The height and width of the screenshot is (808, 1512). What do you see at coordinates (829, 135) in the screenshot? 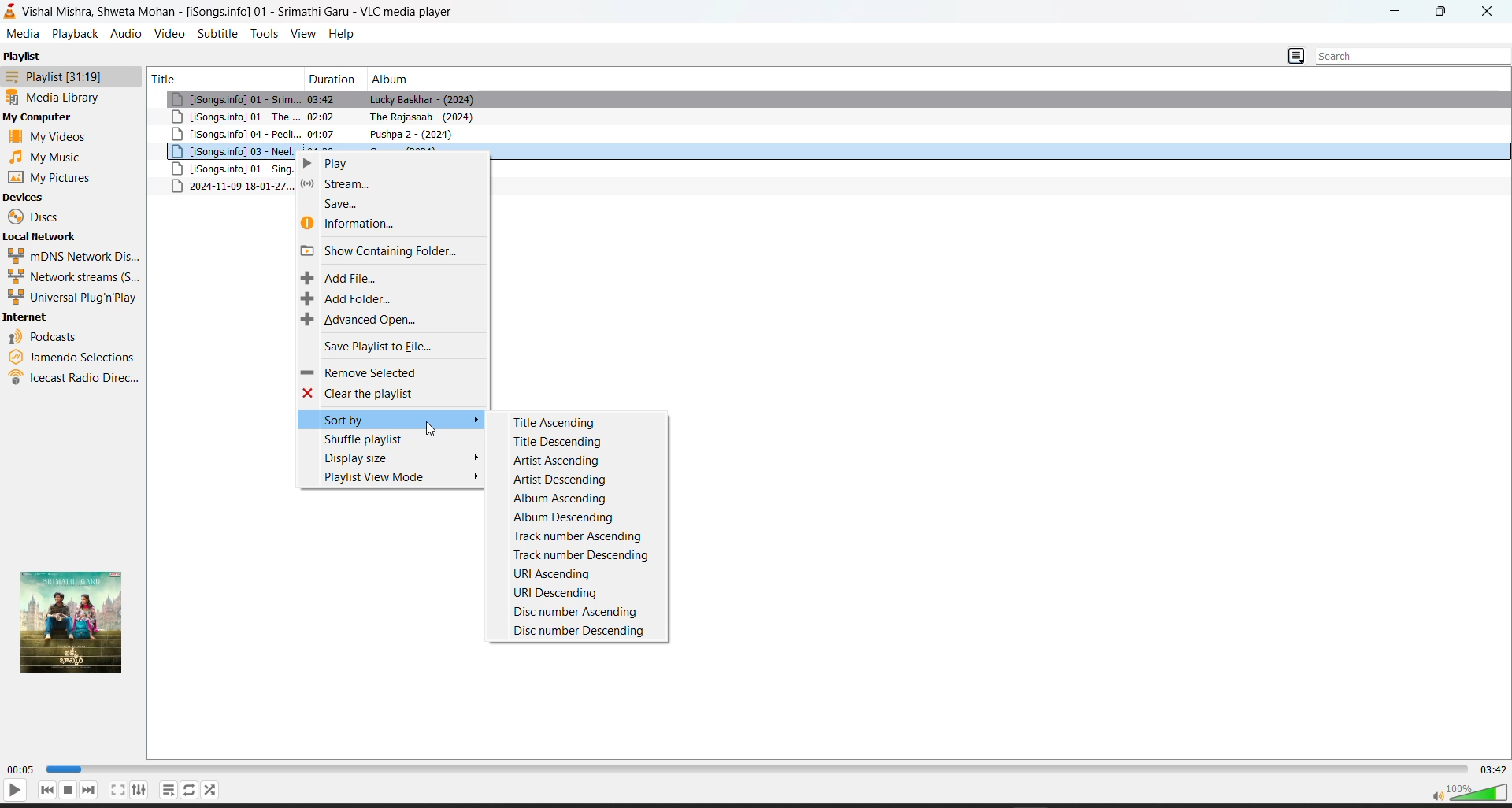
I see `song` at bounding box center [829, 135].